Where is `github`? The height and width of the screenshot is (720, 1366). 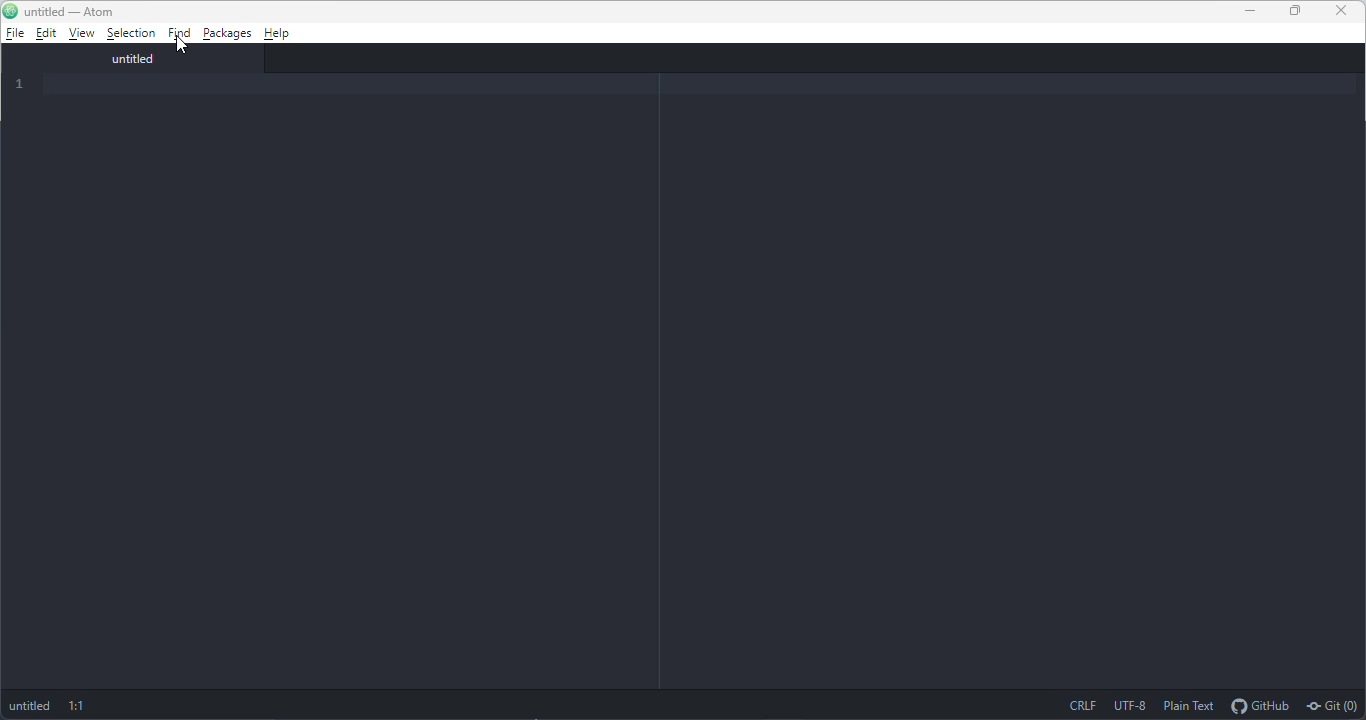 github is located at coordinates (1260, 705).